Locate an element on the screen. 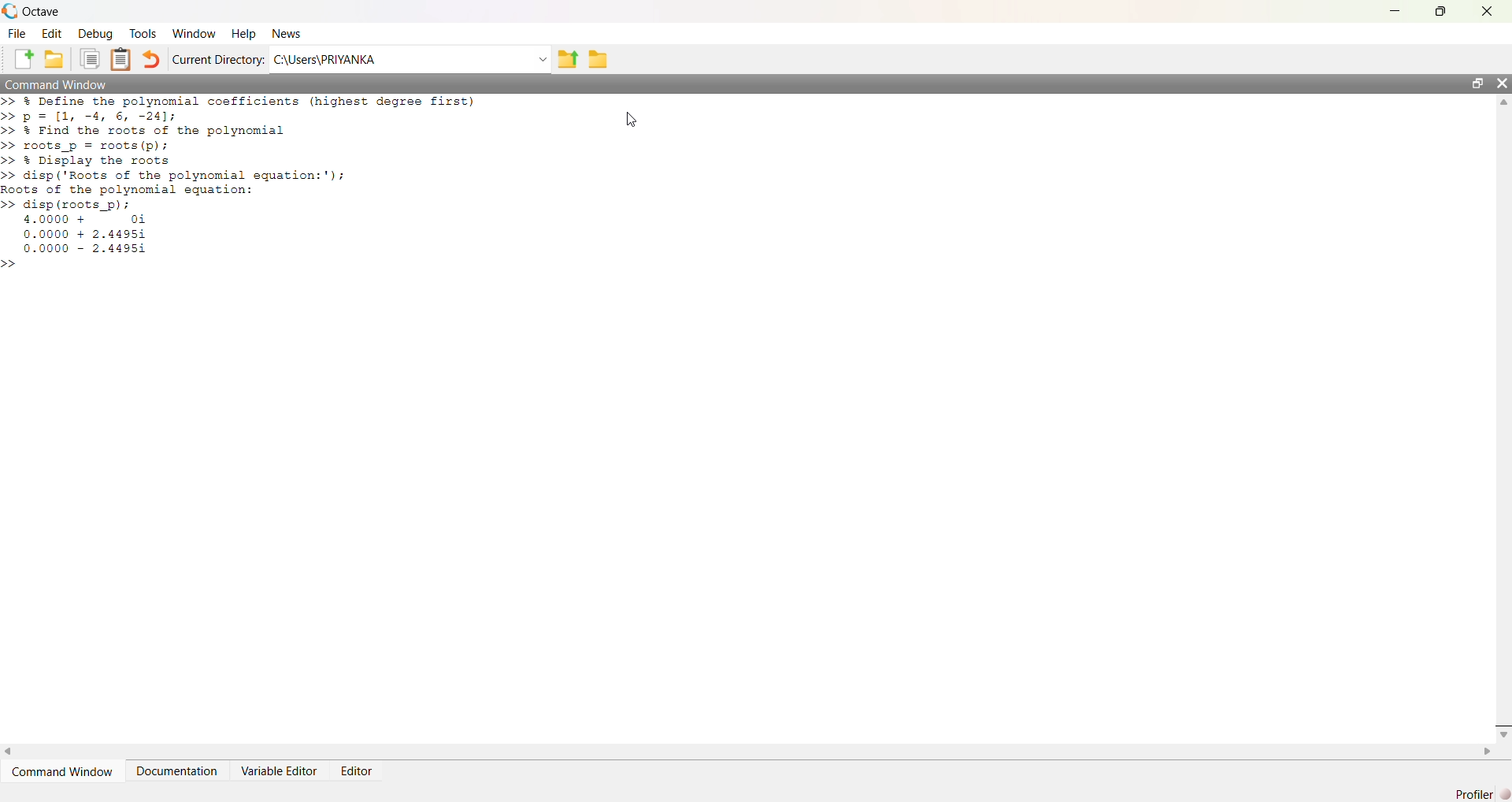  Windows is located at coordinates (197, 35).